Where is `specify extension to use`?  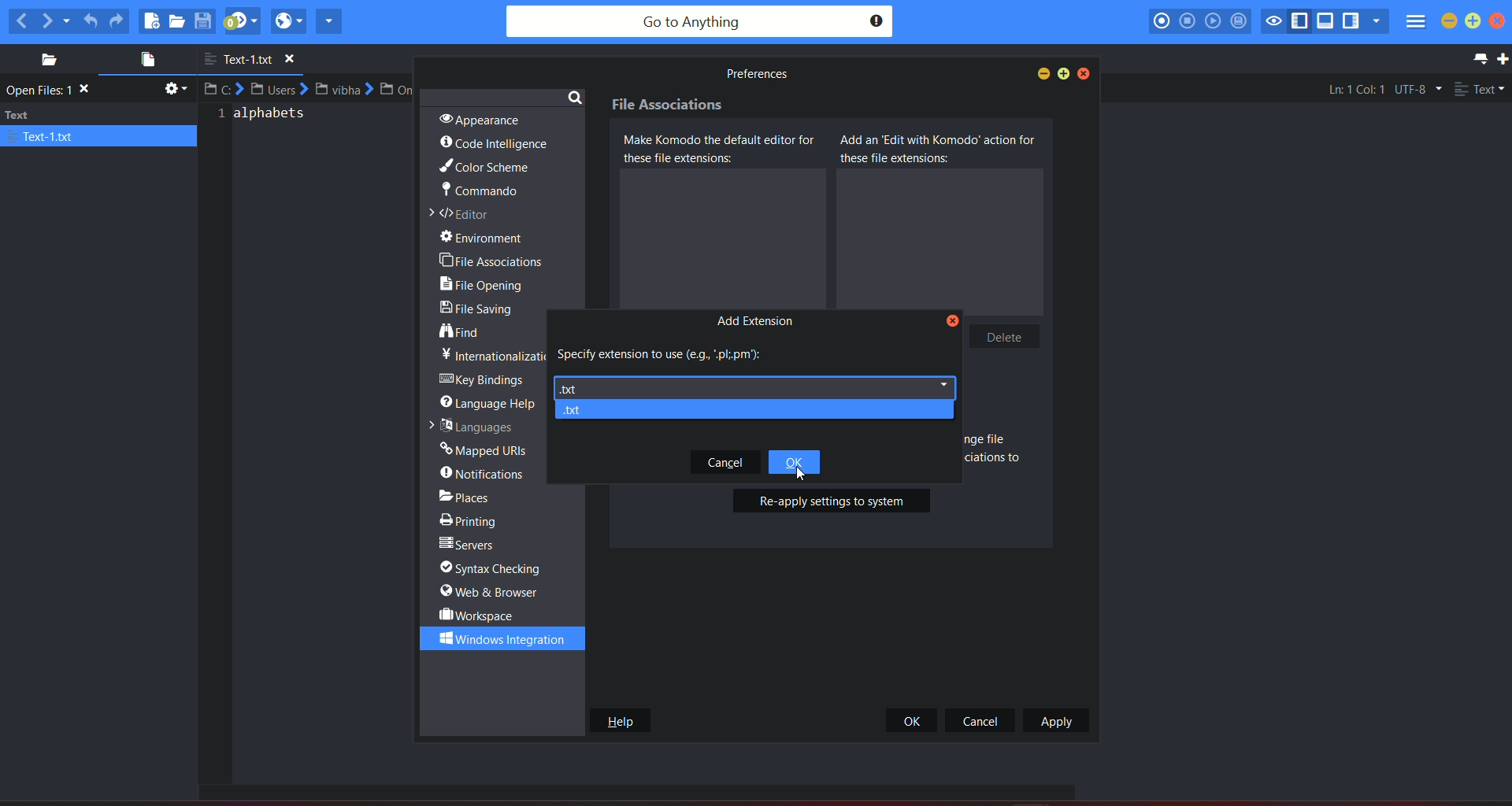 specify extension to use is located at coordinates (660, 353).